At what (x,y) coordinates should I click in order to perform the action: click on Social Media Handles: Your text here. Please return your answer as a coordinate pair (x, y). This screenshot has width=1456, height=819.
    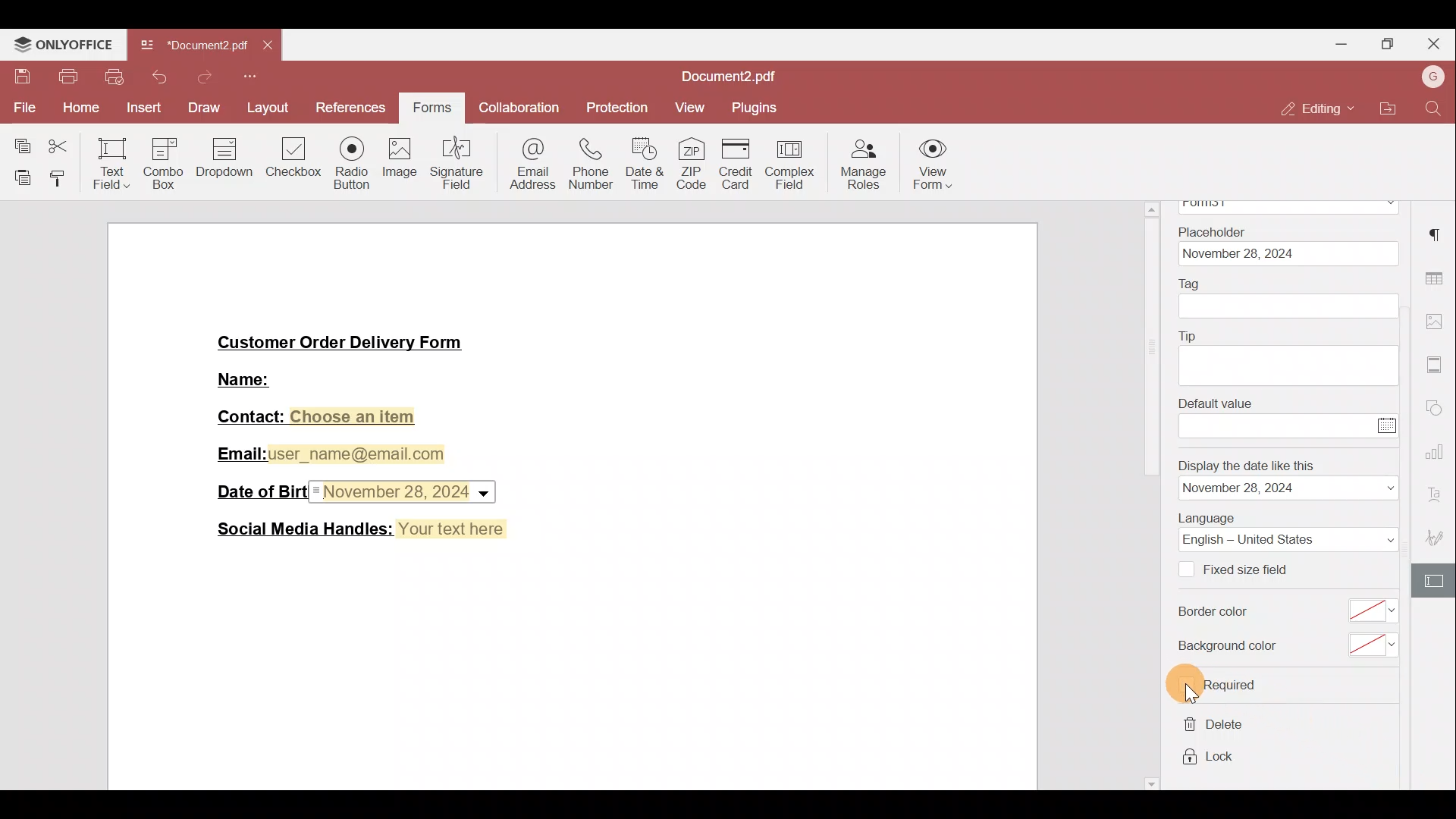
    Looking at the image, I should click on (362, 528).